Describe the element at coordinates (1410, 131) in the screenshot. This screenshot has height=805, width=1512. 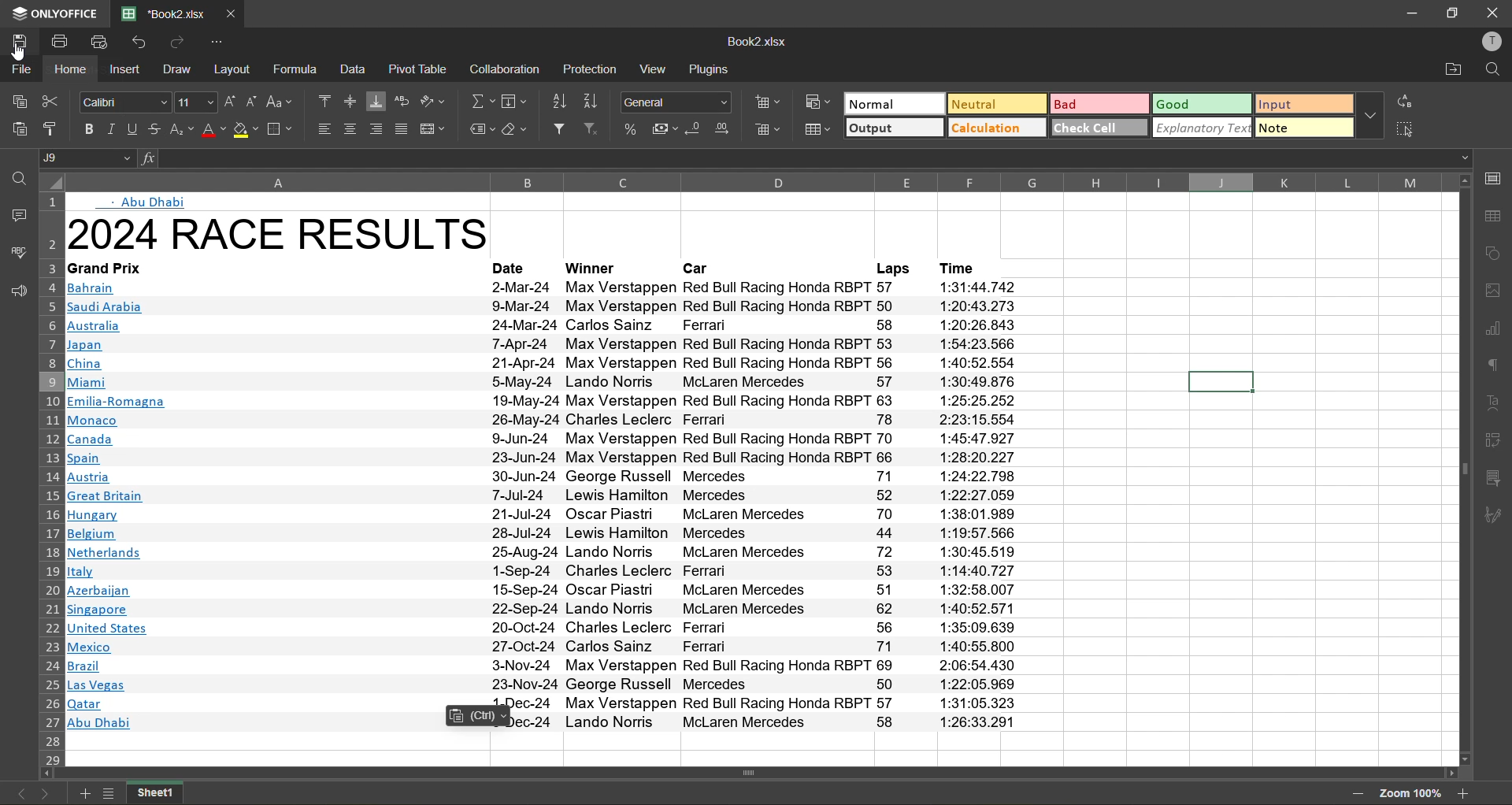
I see `select all` at that location.